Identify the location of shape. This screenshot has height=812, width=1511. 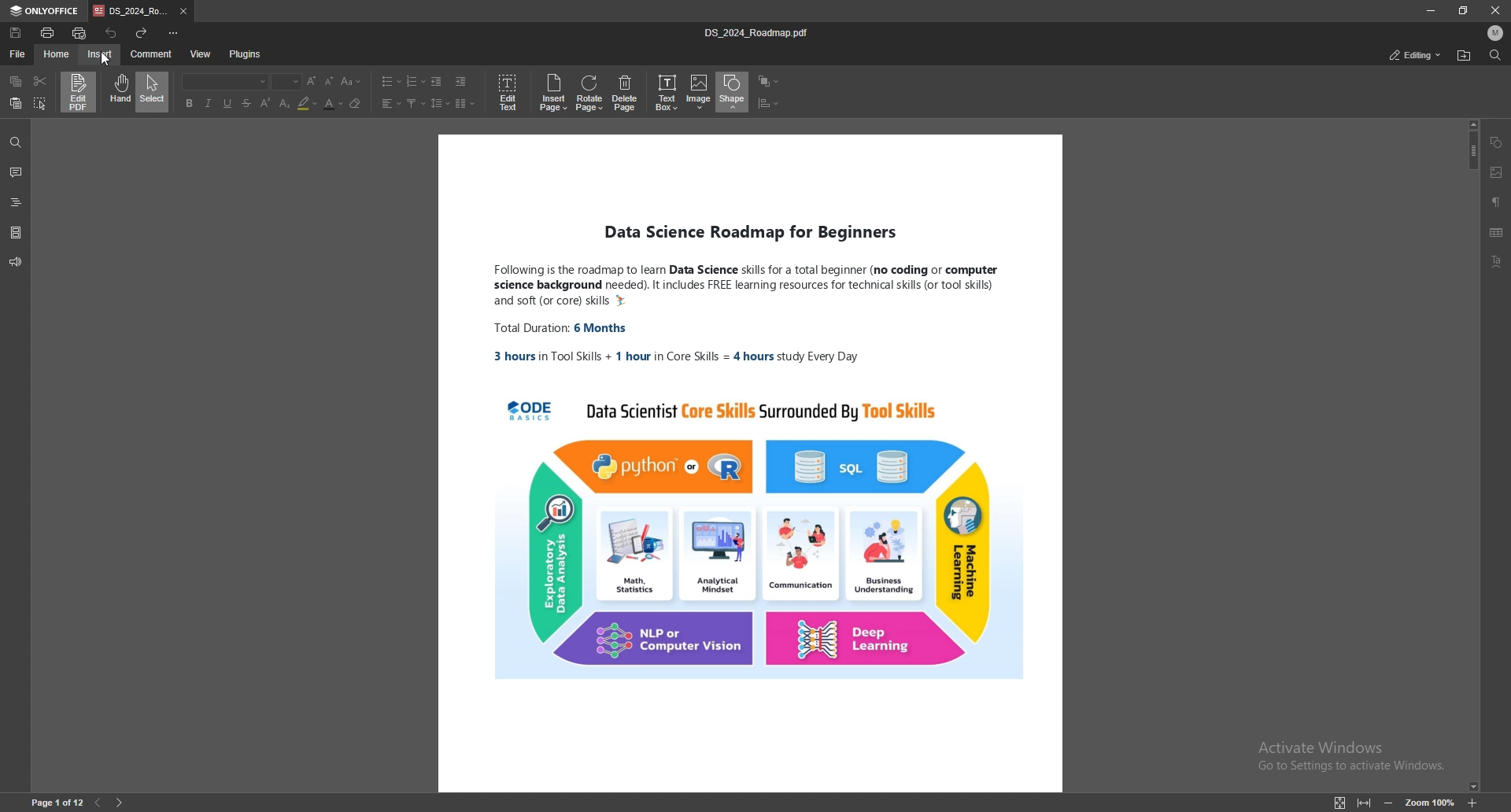
(733, 91).